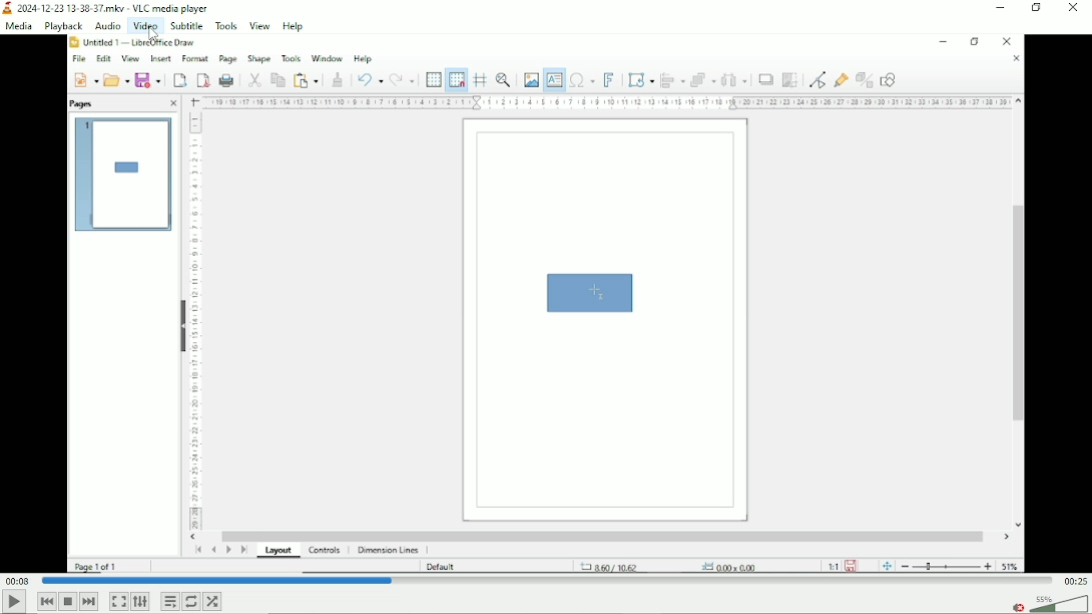  I want to click on View, so click(260, 25).